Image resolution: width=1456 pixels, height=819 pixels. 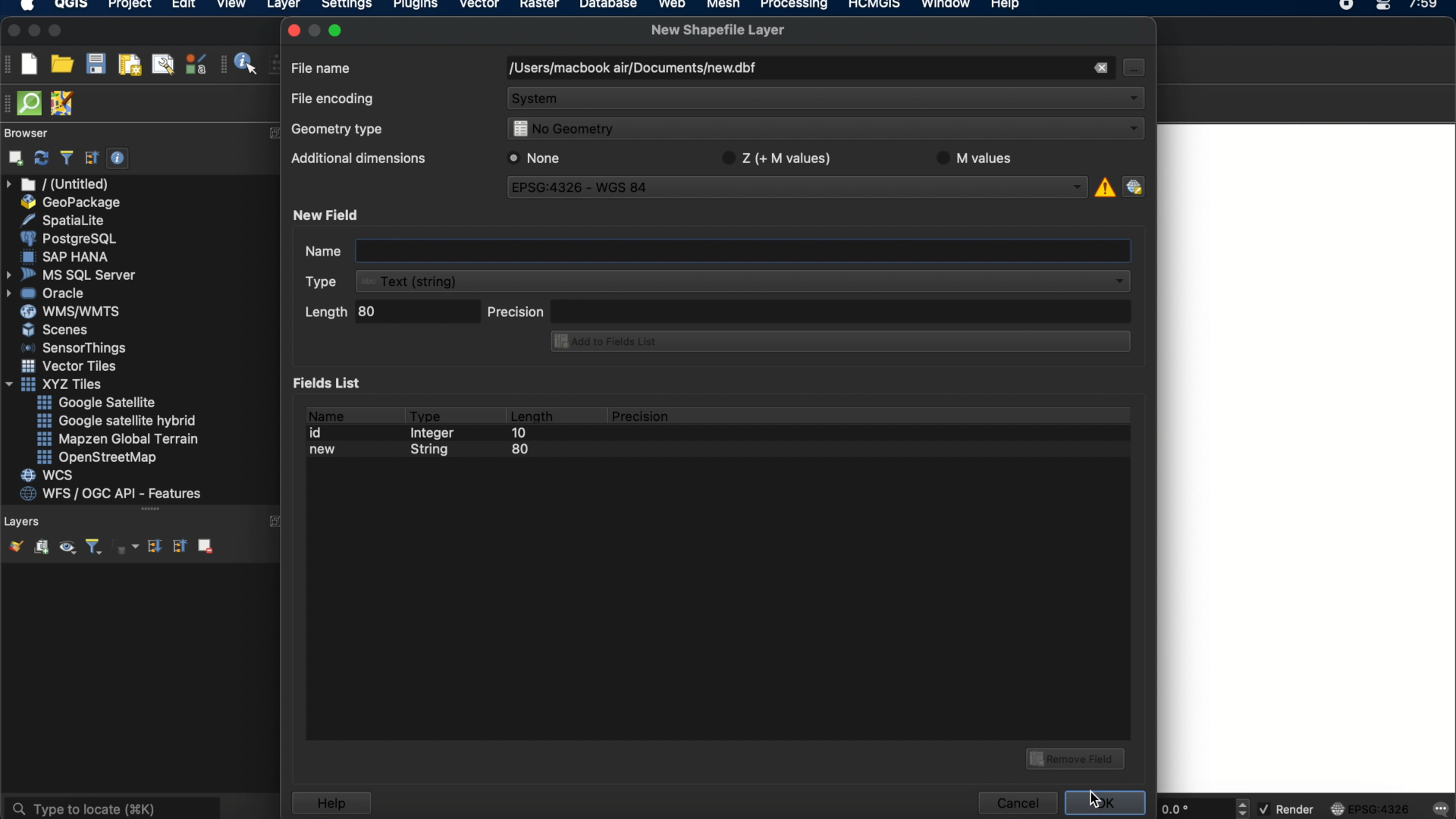 What do you see at coordinates (331, 382) in the screenshot?
I see `fields list` at bounding box center [331, 382].